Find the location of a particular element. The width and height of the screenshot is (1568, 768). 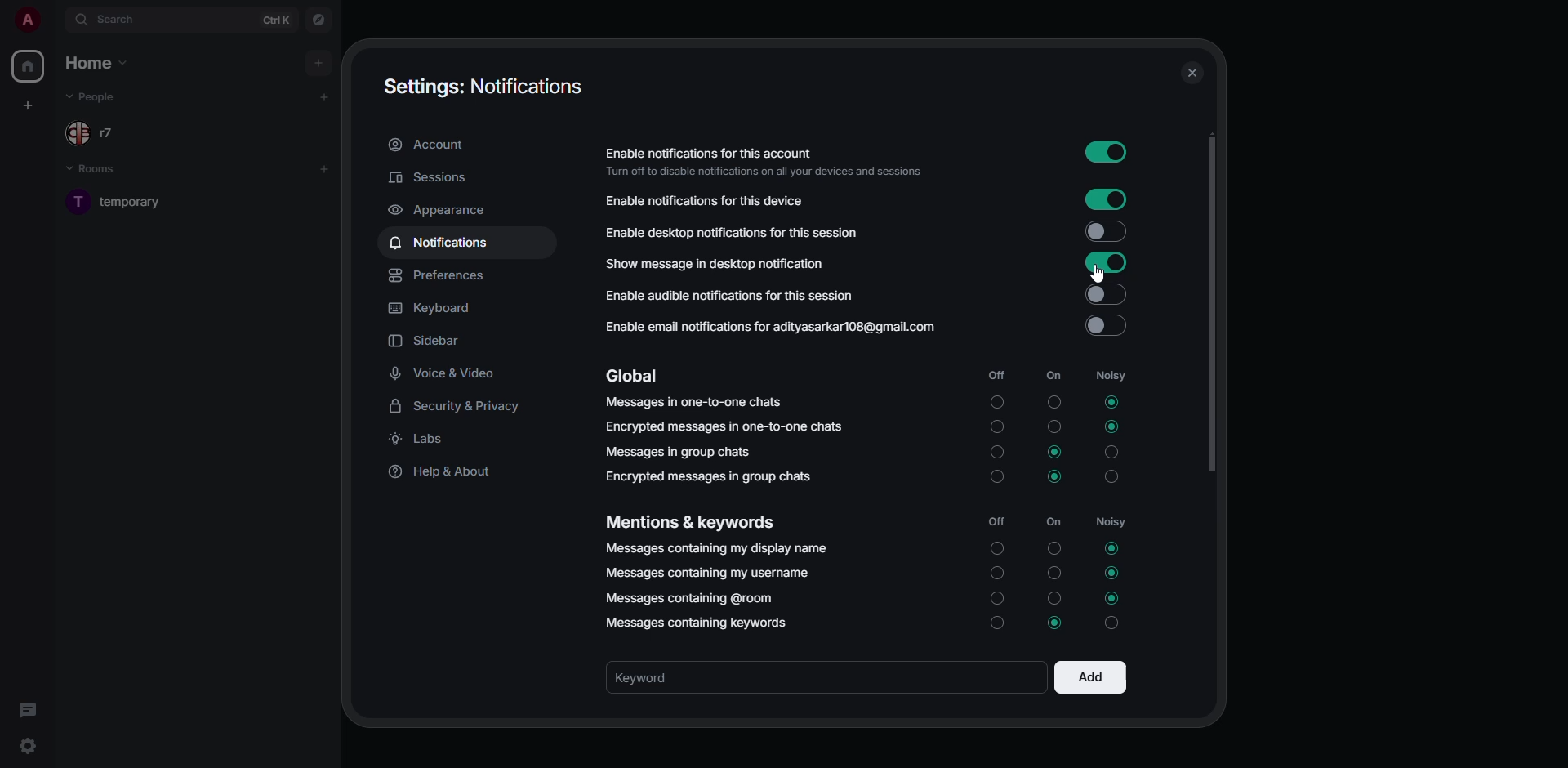

Noisy Unselected is located at coordinates (1111, 453).